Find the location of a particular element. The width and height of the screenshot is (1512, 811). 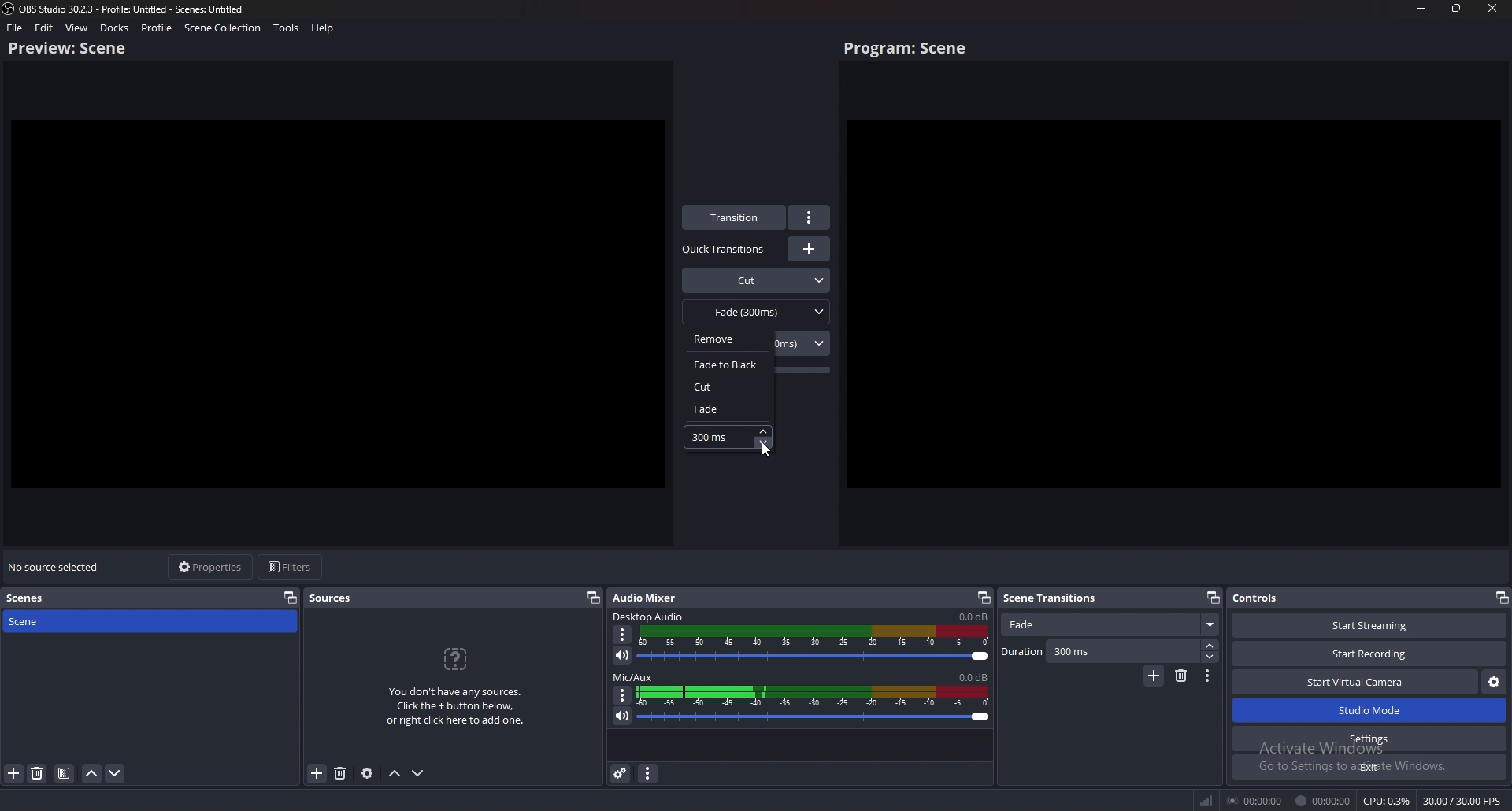

scenes is located at coordinates (29, 598).